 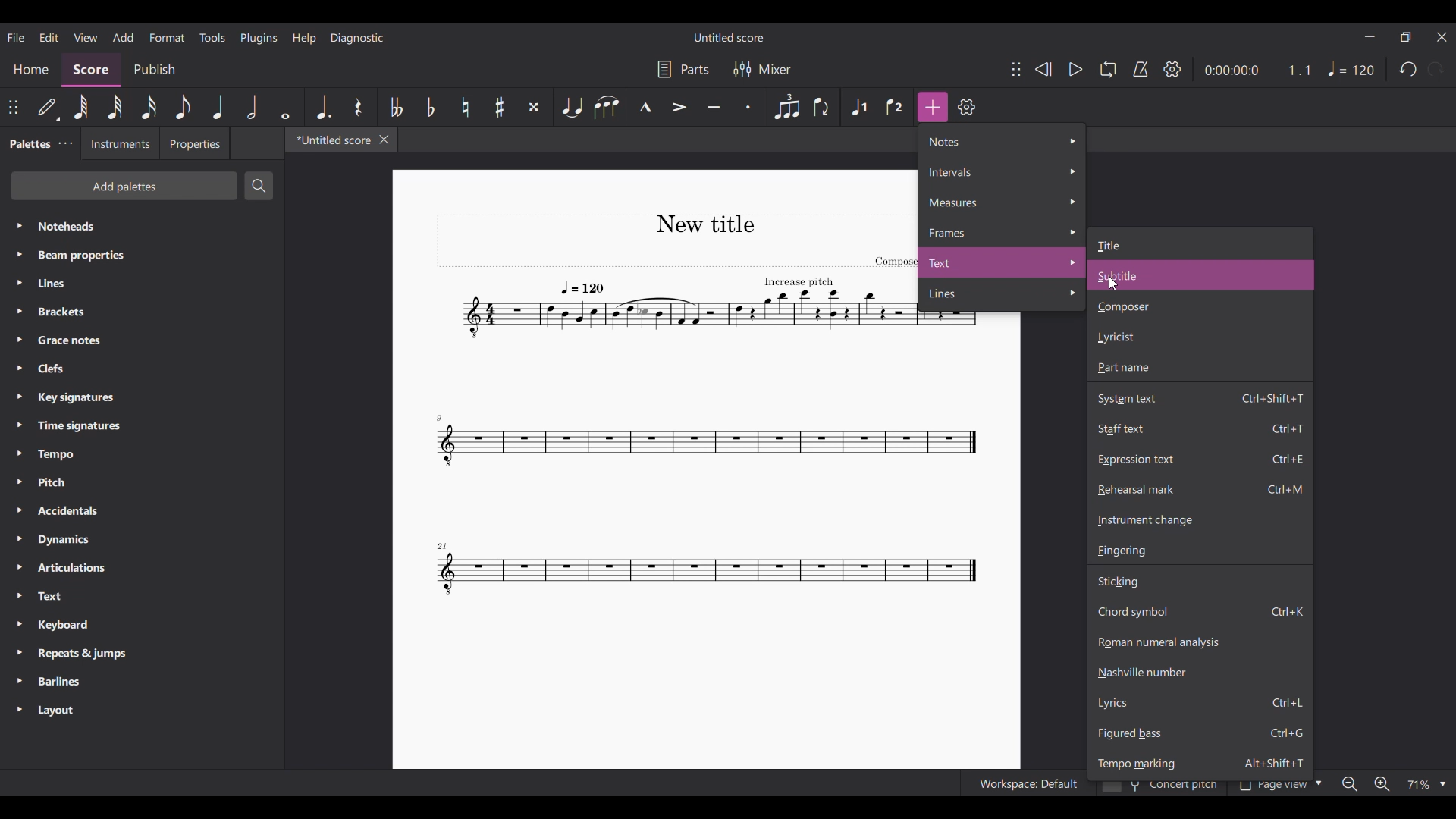 What do you see at coordinates (1230, 70) in the screenshot?
I see `Current duration` at bounding box center [1230, 70].